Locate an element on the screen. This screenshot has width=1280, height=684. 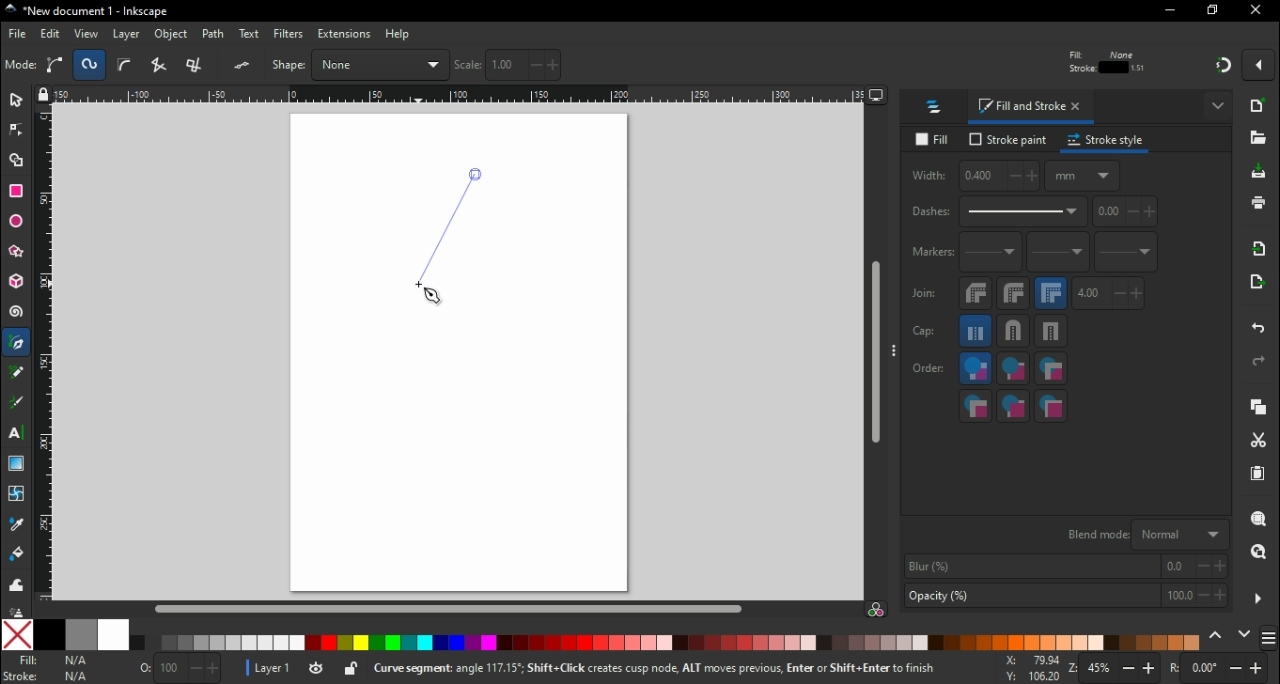
white is located at coordinates (113, 635).